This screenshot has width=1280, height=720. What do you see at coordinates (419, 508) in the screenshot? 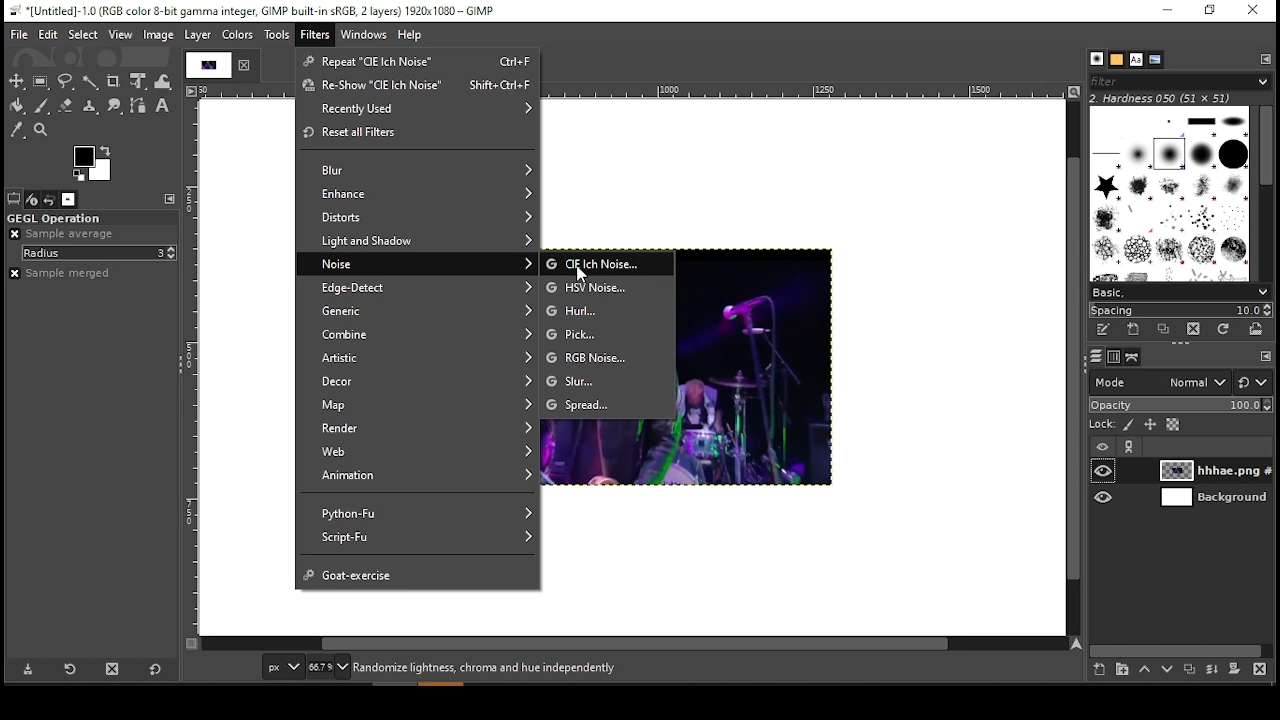
I see `python Fu` at bounding box center [419, 508].